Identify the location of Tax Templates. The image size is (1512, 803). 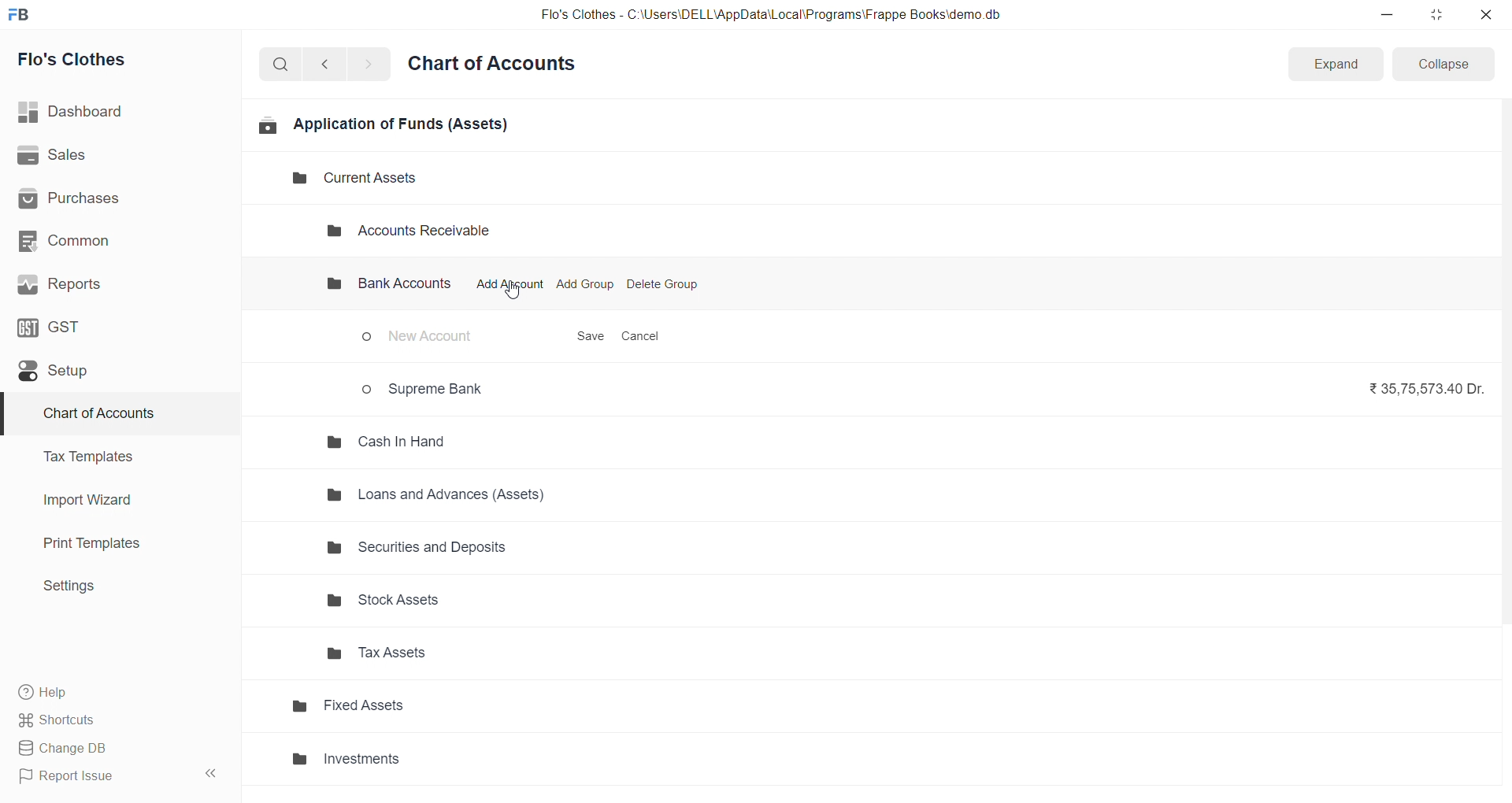
(111, 457).